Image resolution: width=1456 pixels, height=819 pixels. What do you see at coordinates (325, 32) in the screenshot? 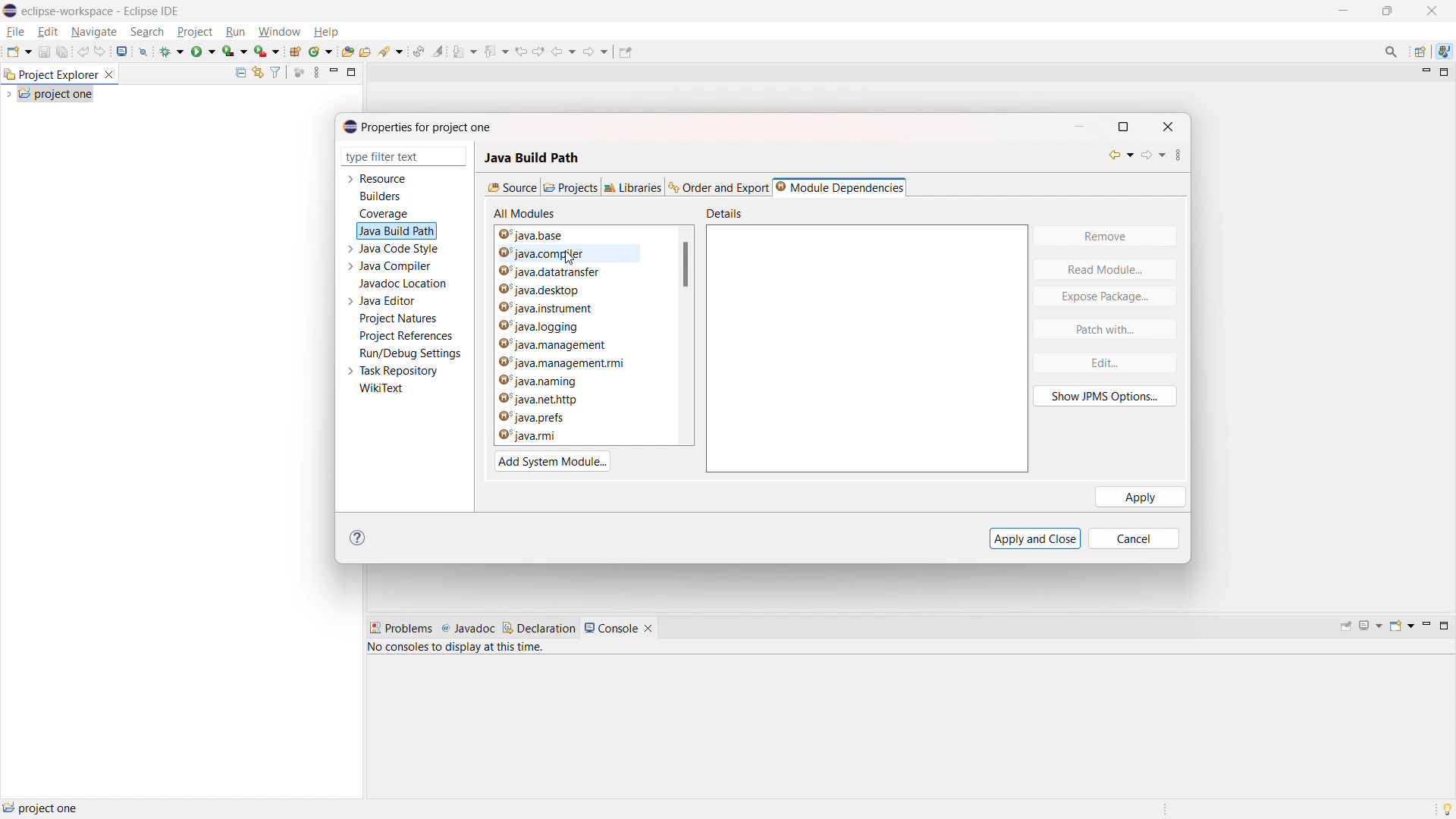
I see `help` at bounding box center [325, 32].